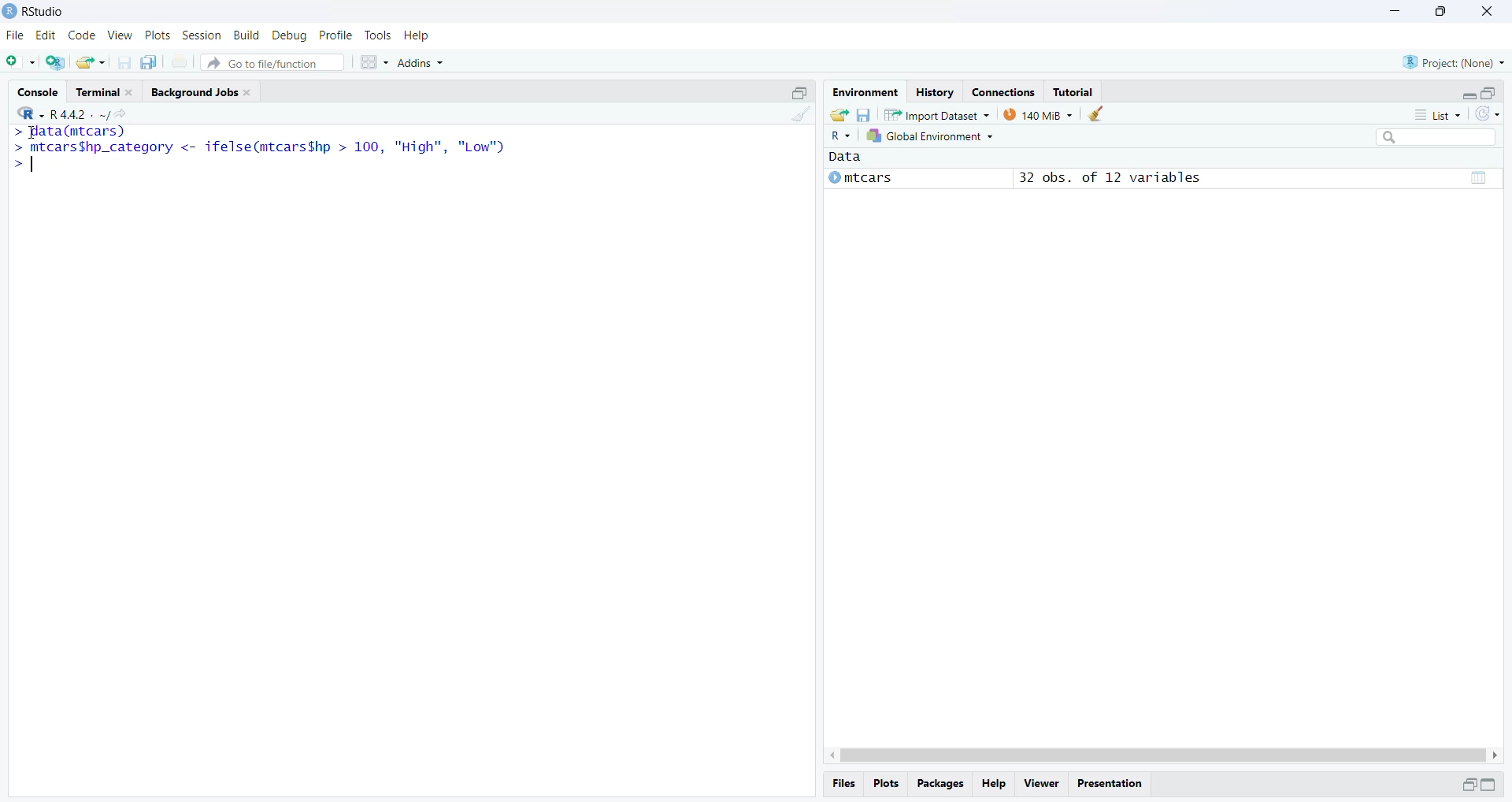 This screenshot has width=1512, height=802. Describe the element at coordinates (933, 138) in the screenshot. I see `Global Environment` at that location.